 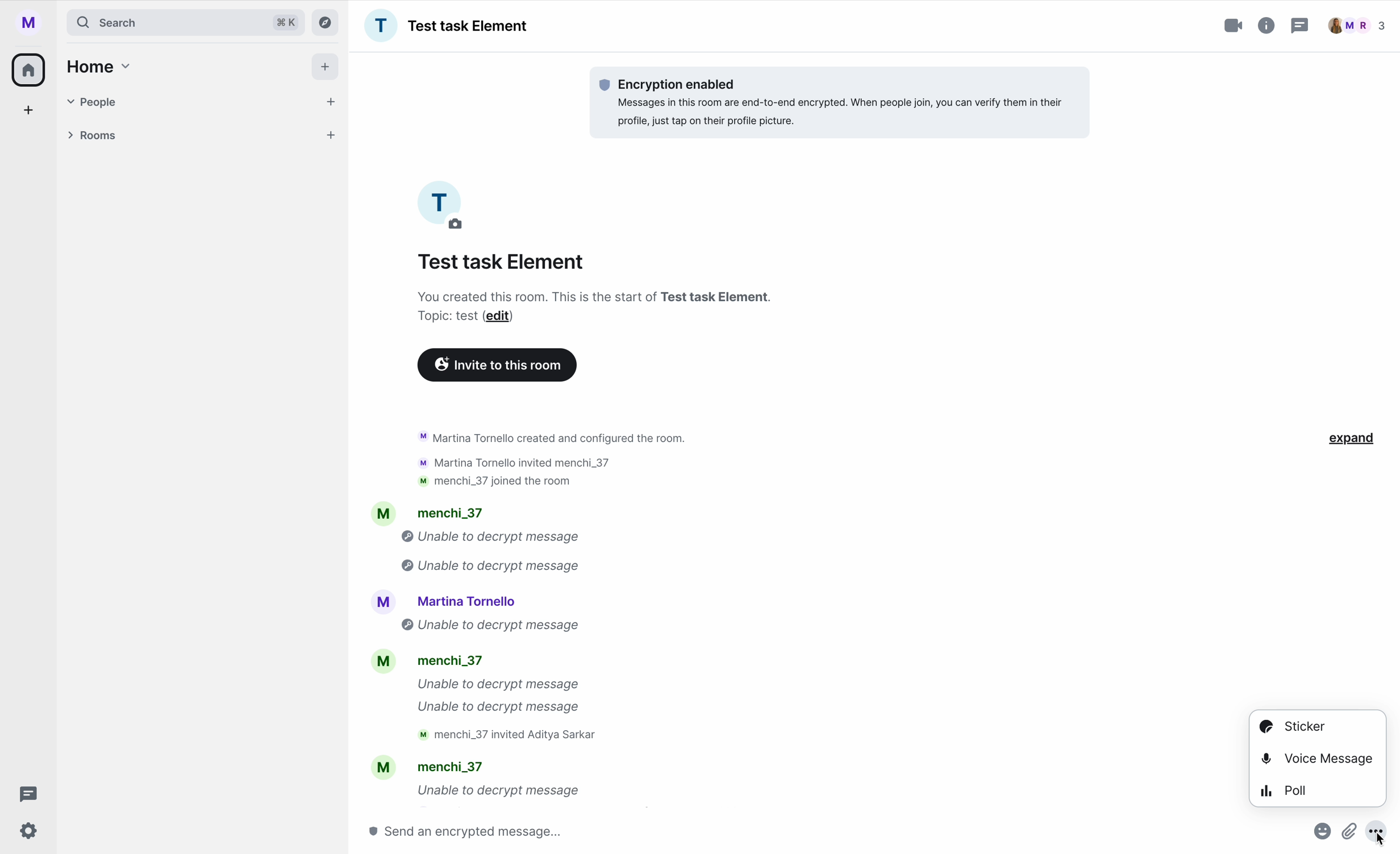 I want to click on profile picture, so click(x=33, y=23).